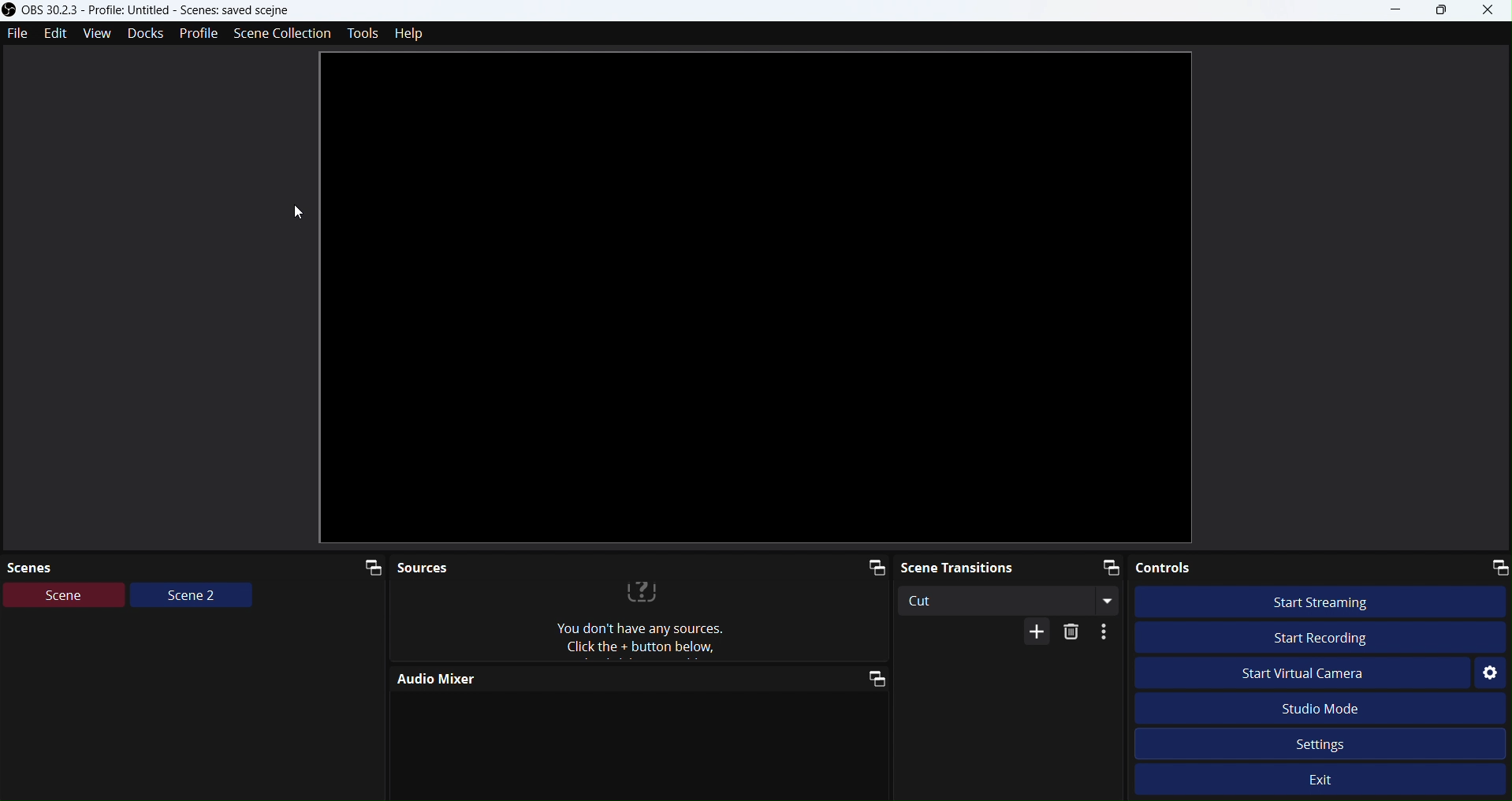 The width and height of the screenshot is (1512, 801). I want to click on Studio Mode, so click(1323, 710).